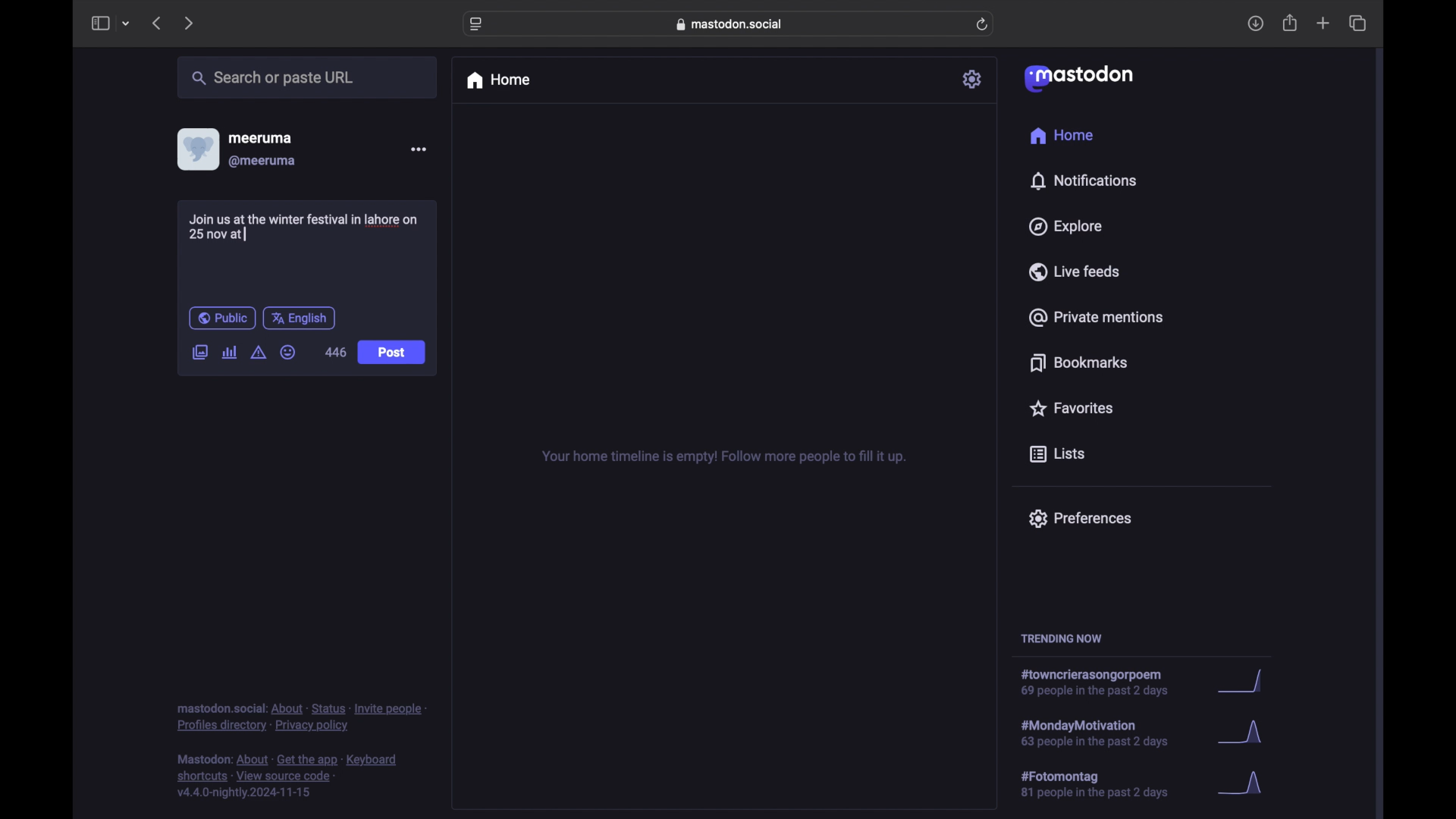  Describe the element at coordinates (1256, 24) in the screenshot. I see `download` at that location.